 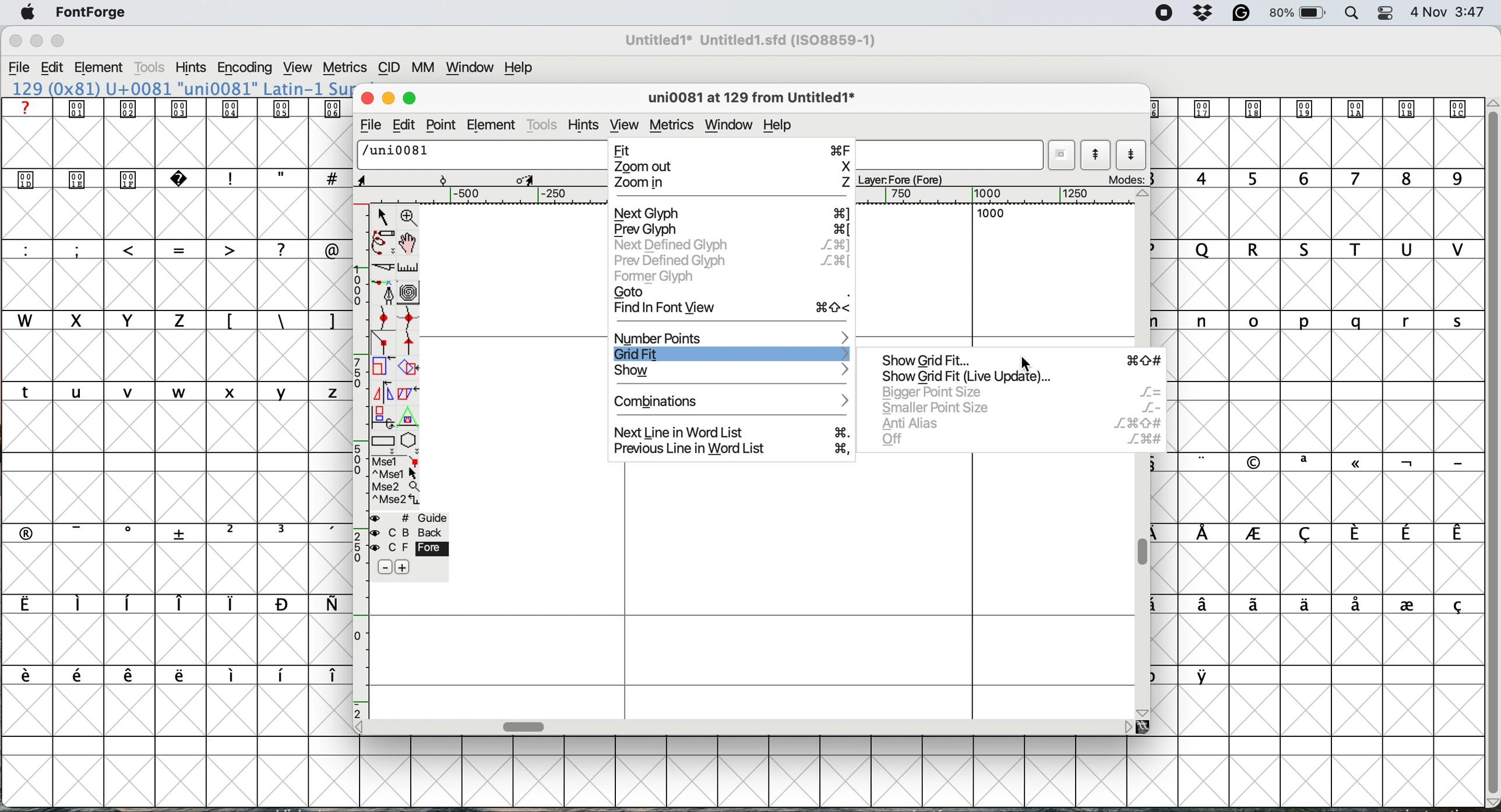 What do you see at coordinates (52, 67) in the screenshot?
I see `Edit` at bounding box center [52, 67].